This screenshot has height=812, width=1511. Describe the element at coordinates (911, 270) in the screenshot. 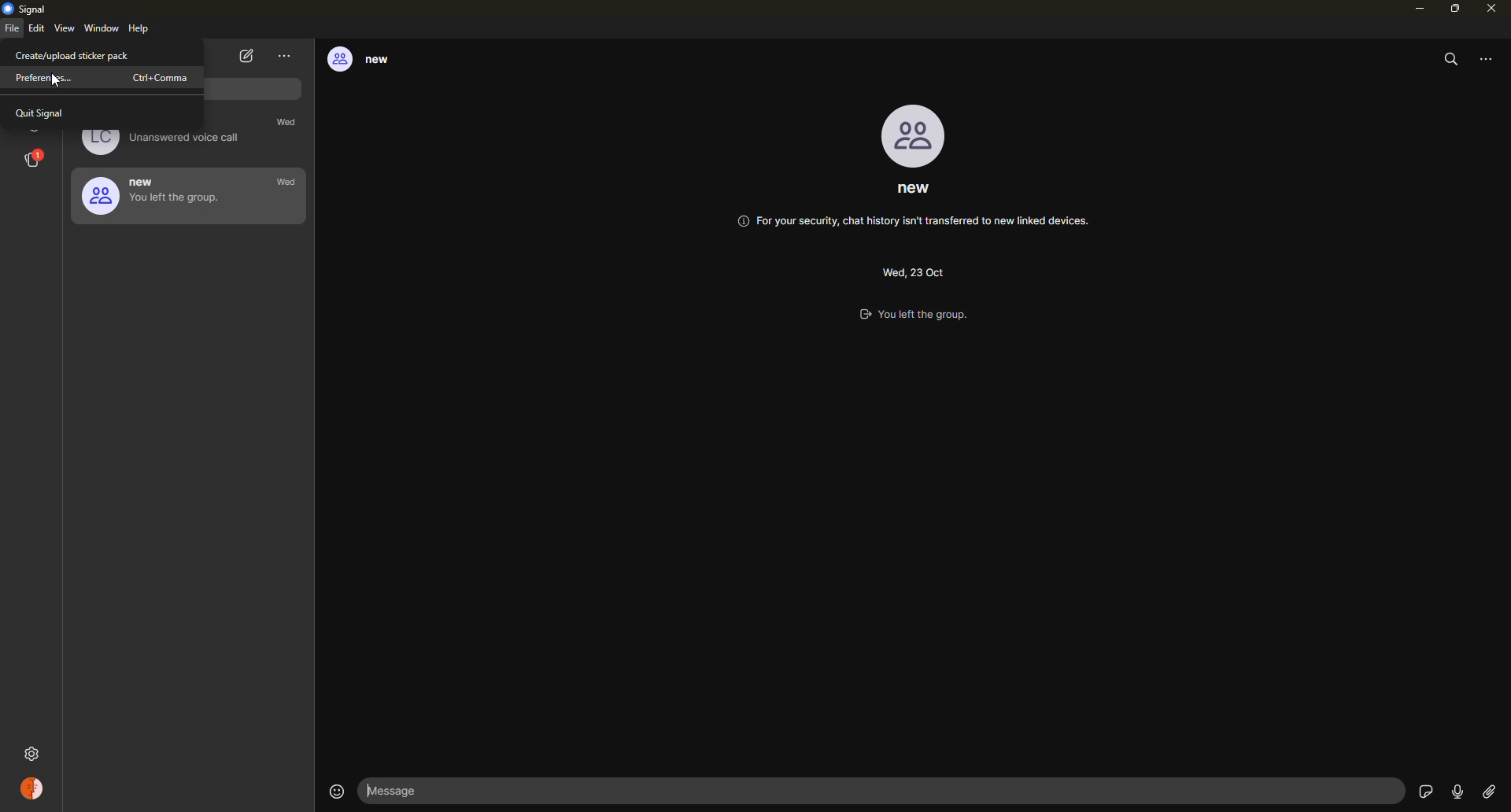

I see `Wed, 23 Oct` at that location.